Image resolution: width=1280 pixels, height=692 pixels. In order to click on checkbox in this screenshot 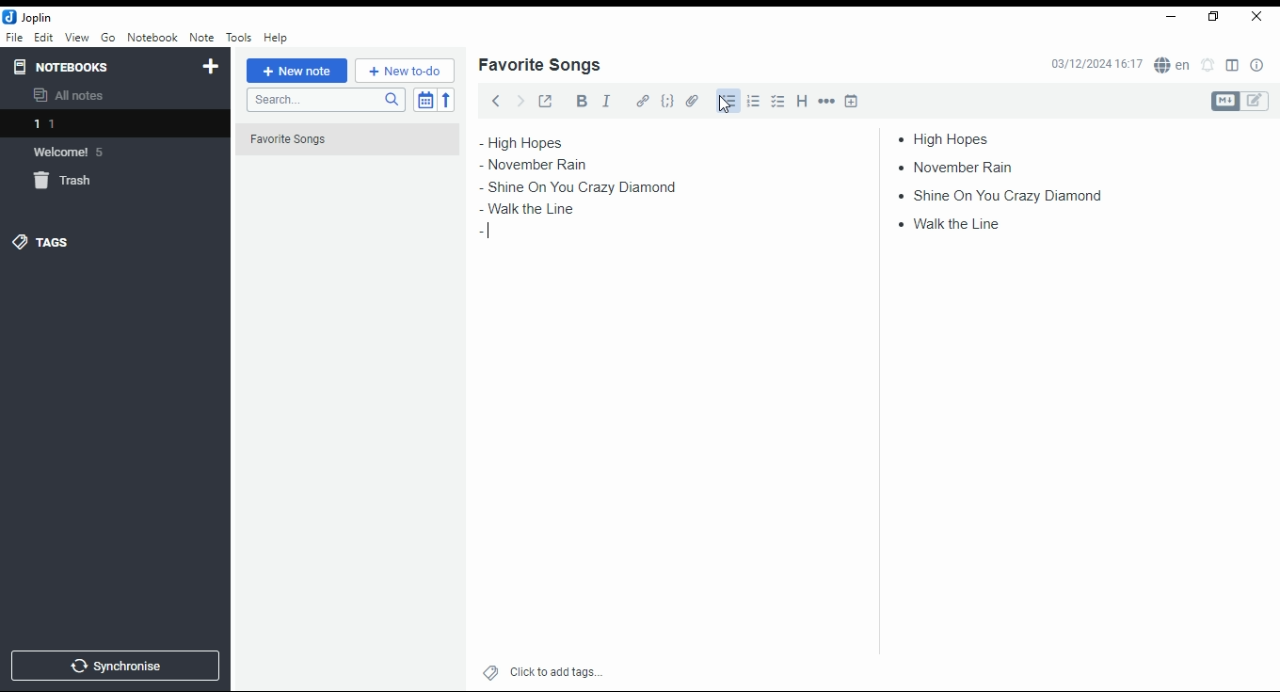, I will do `click(776, 103)`.